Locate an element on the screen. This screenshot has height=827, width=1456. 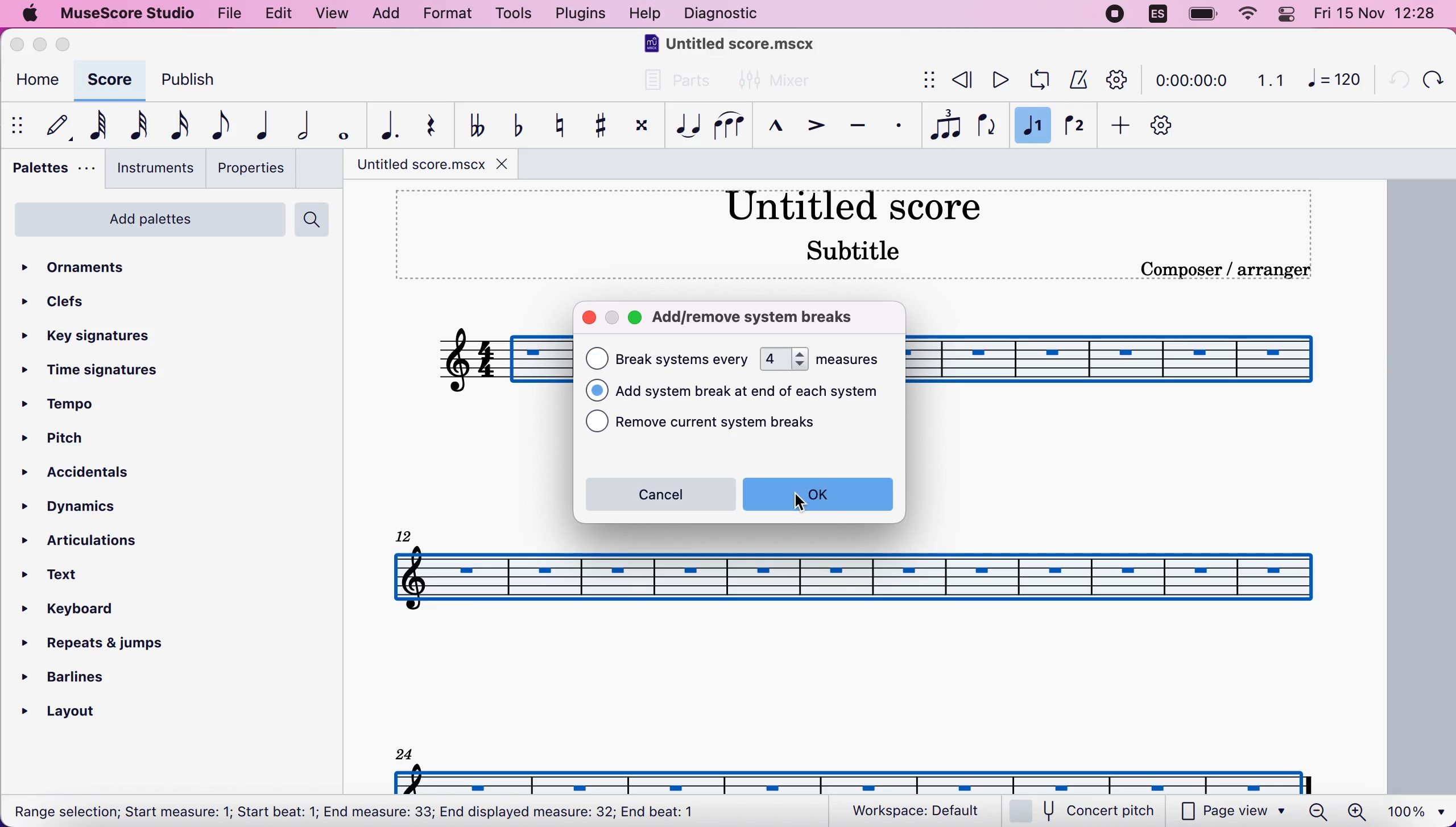
checkbox is located at coordinates (597, 421).